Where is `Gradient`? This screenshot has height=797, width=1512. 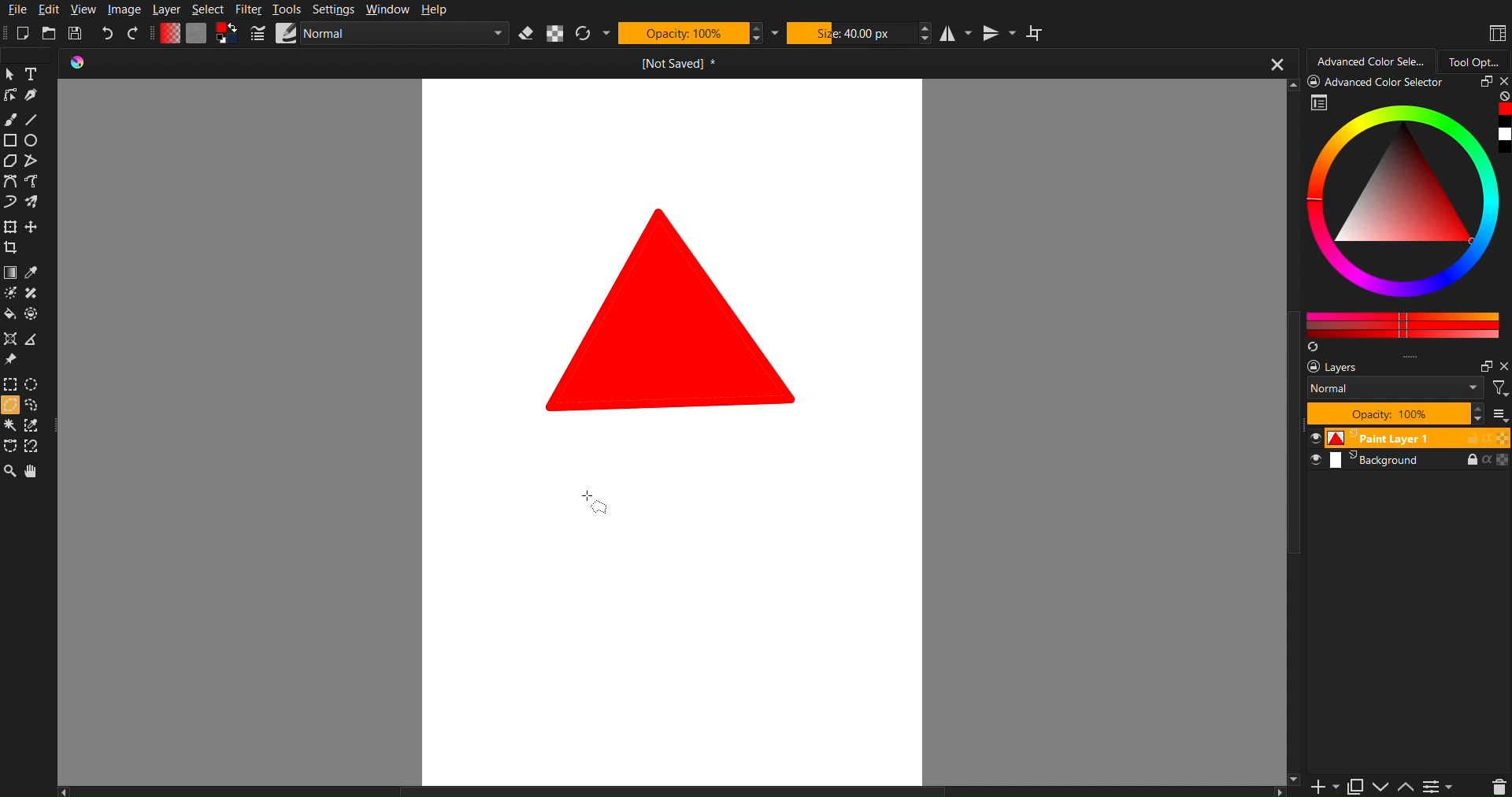
Gradient is located at coordinates (9, 274).